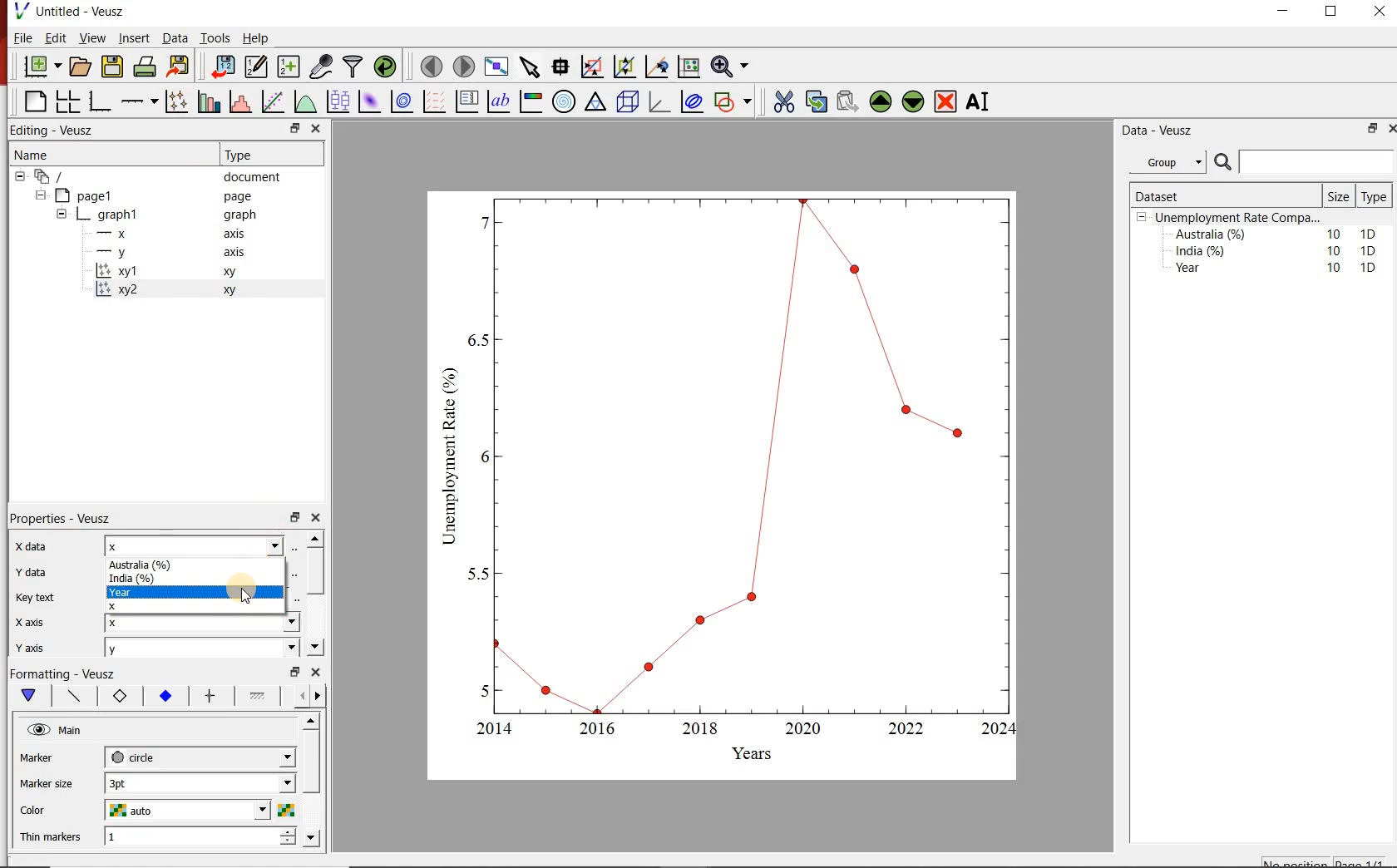 The image size is (1397, 868). Describe the element at coordinates (466, 102) in the screenshot. I see `plot key` at that location.